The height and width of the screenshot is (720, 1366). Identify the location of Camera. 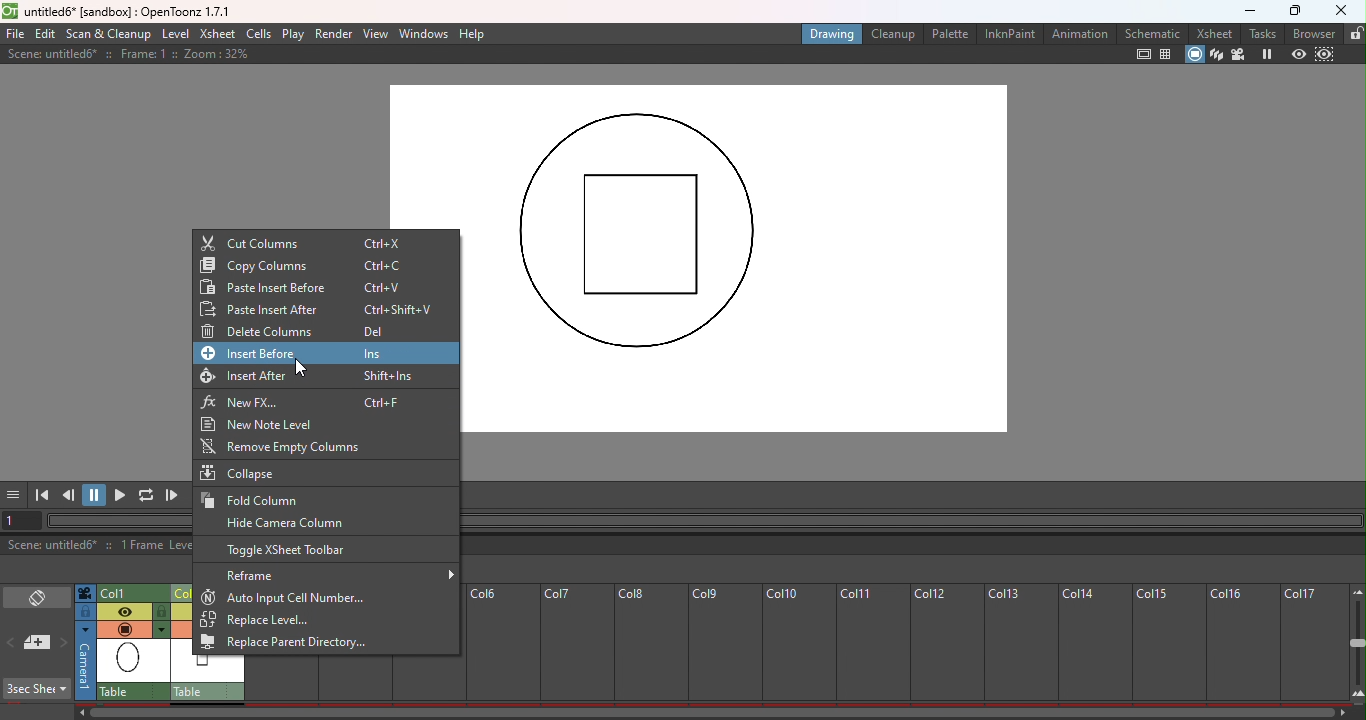
(1240, 54).